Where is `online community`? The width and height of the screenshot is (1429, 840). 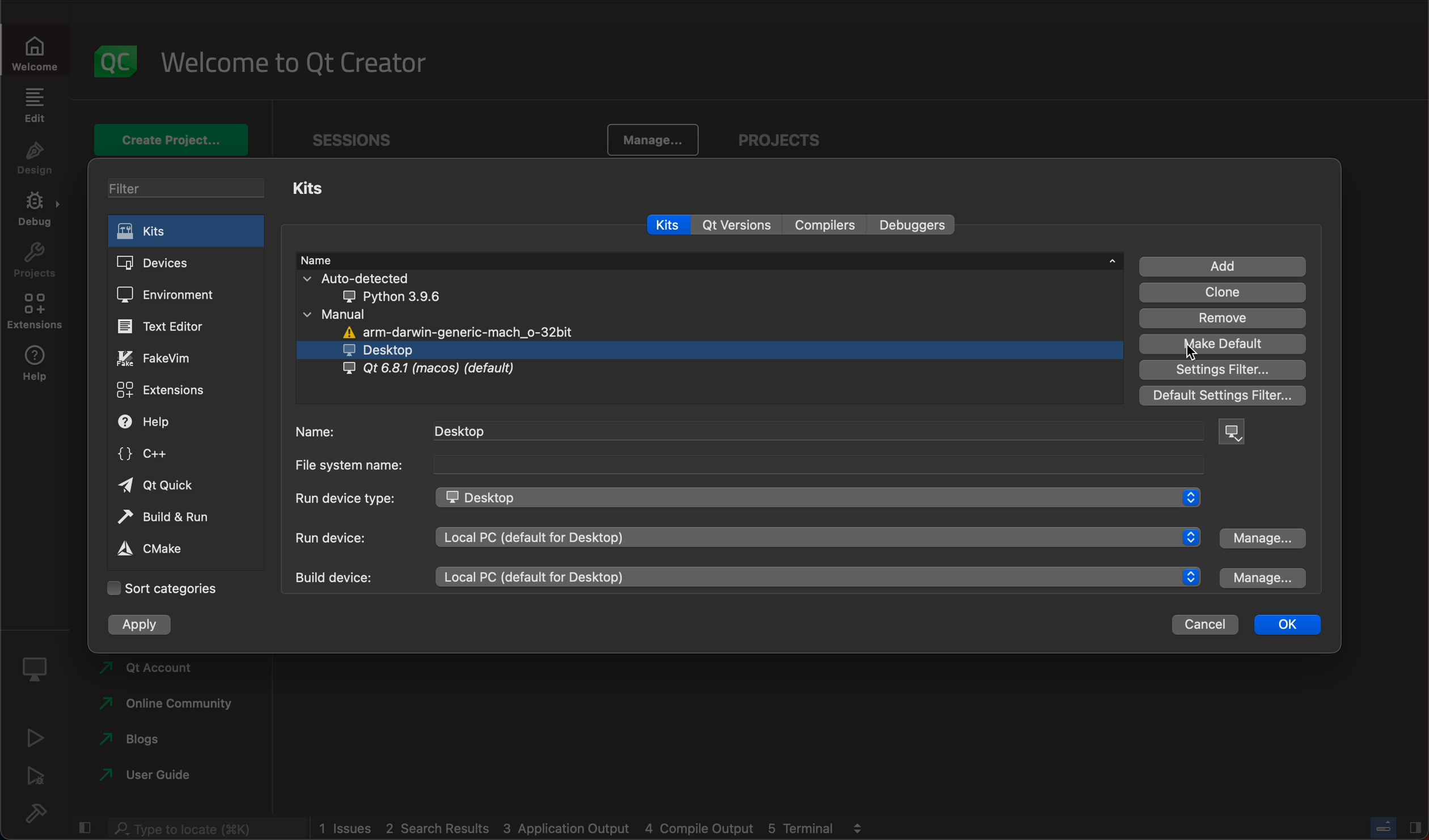
online community is located at coordinates (166, 706).